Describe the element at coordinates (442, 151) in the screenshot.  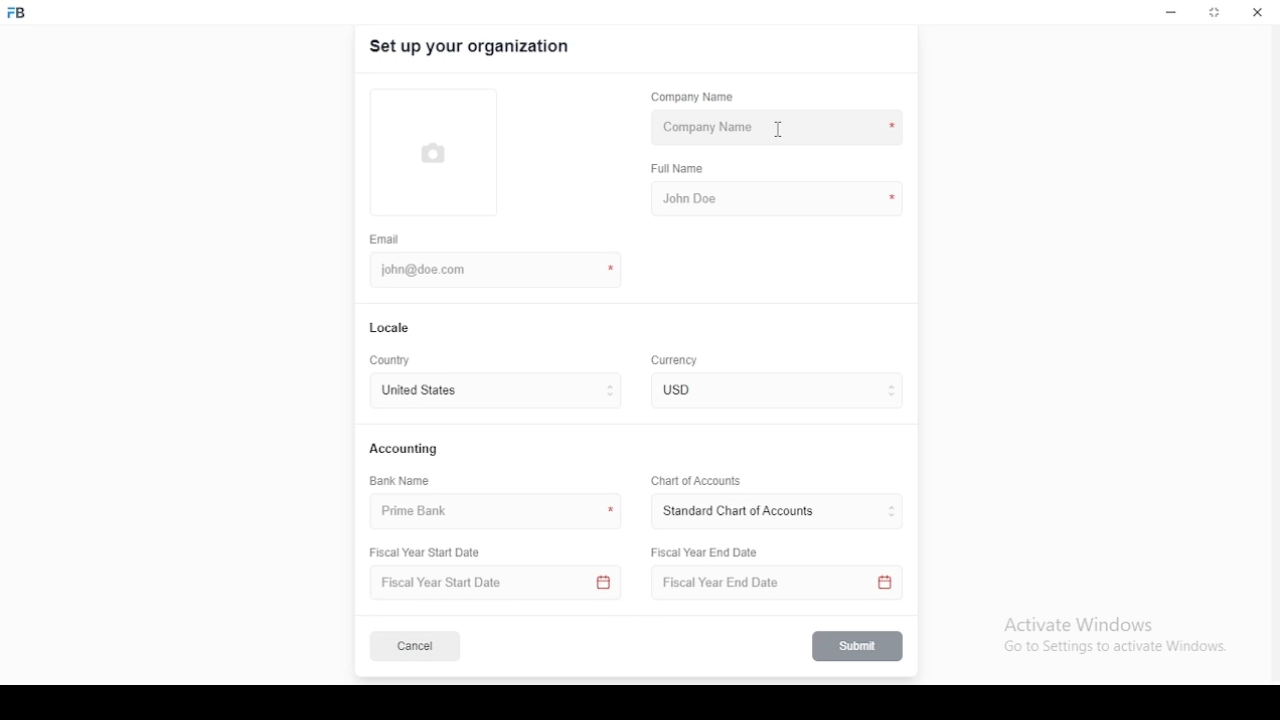
I see `logo tumbnail` at that location.